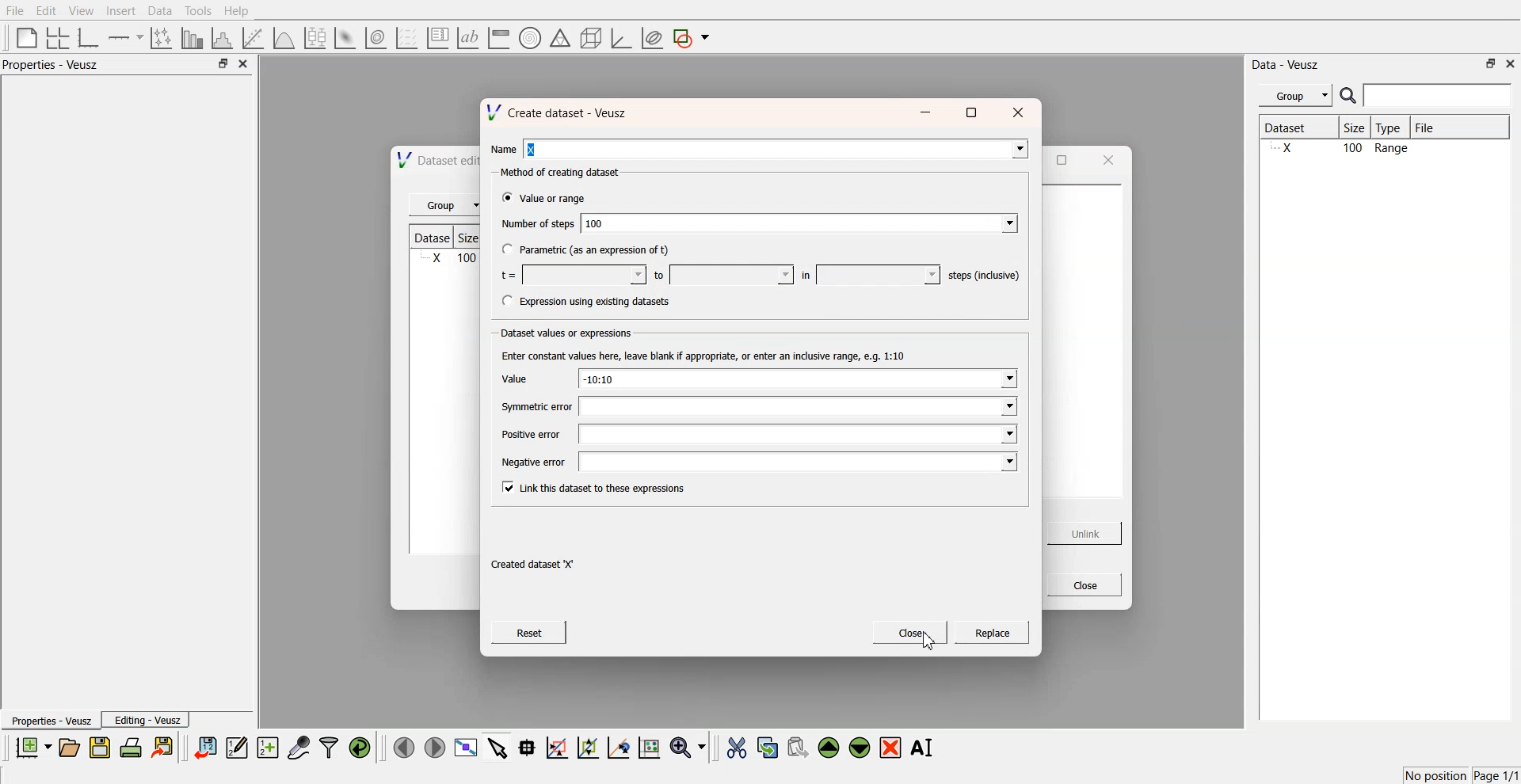 This screenshot has width=1521, height=784. I want to click on Create dataset - Veusz, so click(563, 112).